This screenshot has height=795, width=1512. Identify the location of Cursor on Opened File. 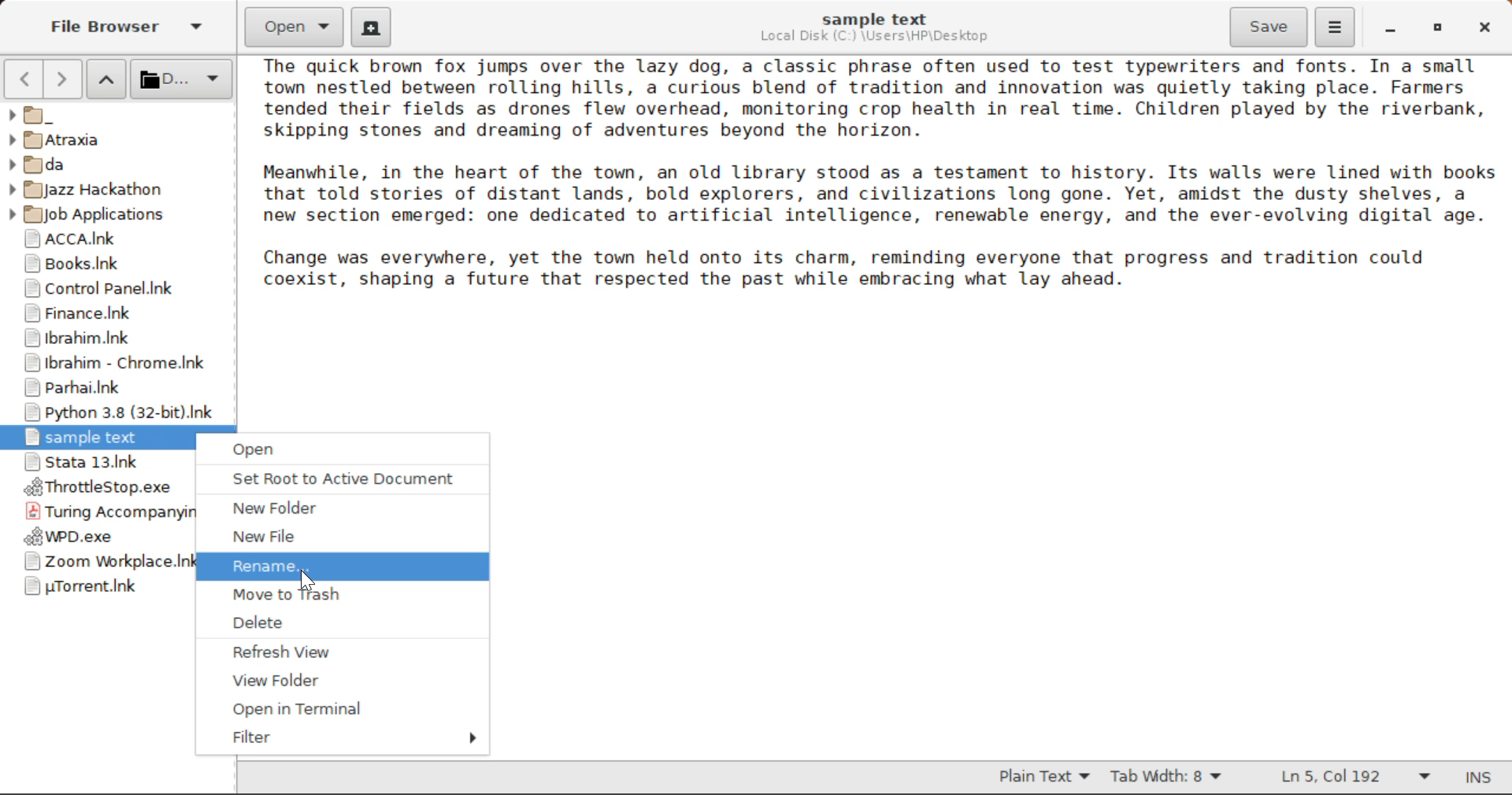
(96, 438).